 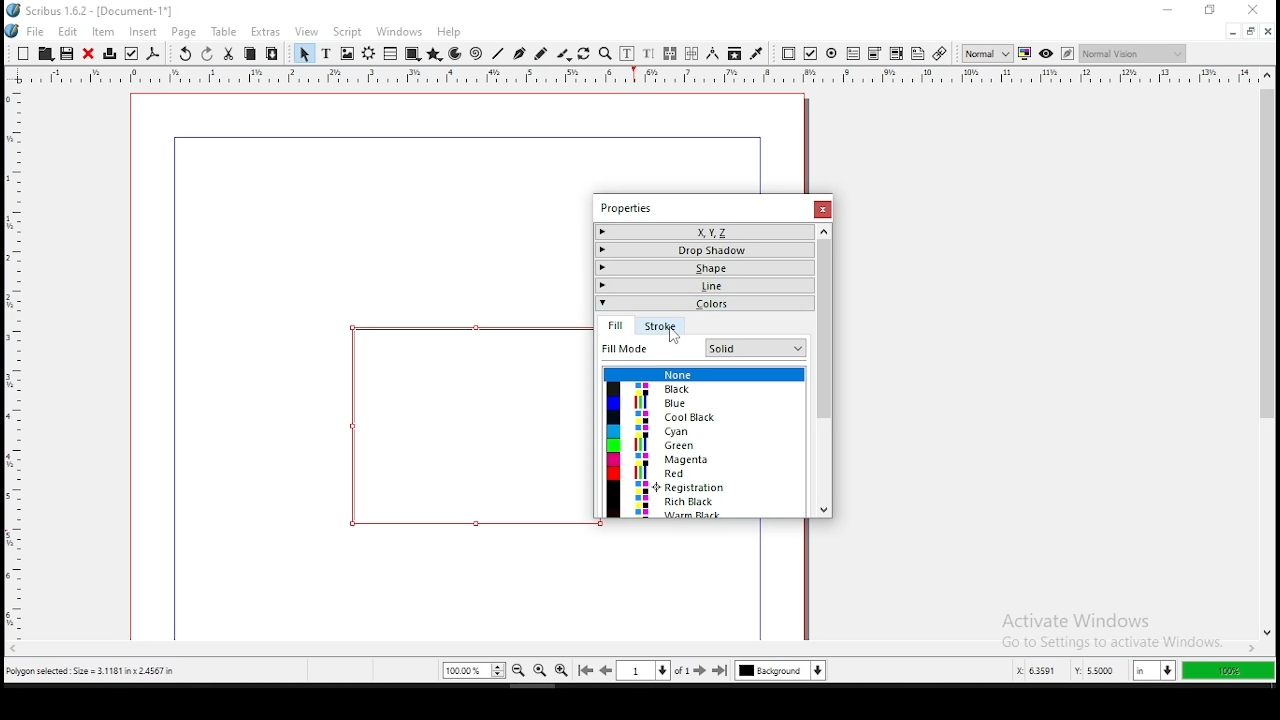 What do you see at coordinates (304, 53) in the screenshot?
I see `select item` at bounding box center [304, 53].